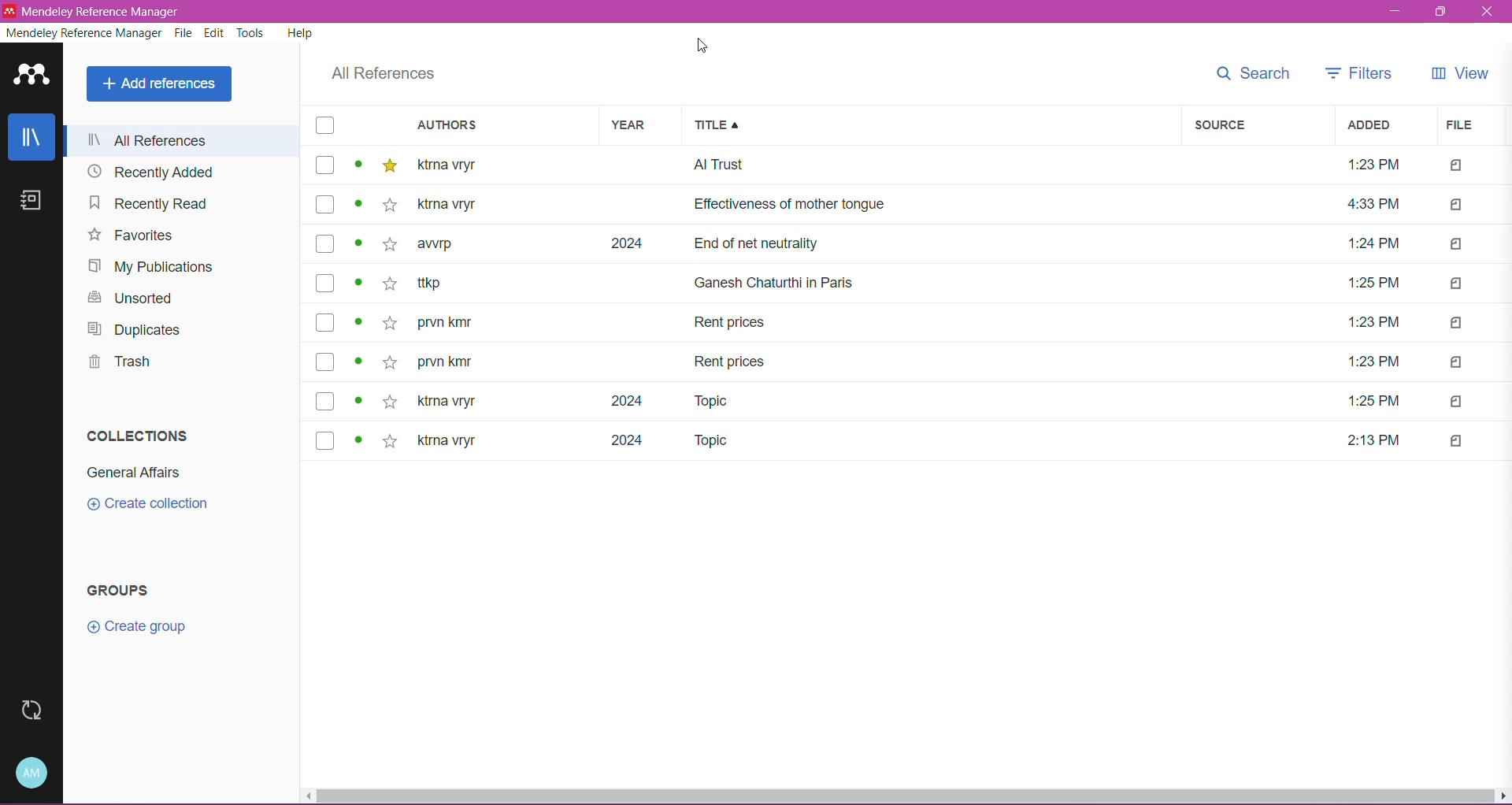  What do you see at coordinates (185, 33) in the screenshot?
I see `File` at bounding box center [185, 33].